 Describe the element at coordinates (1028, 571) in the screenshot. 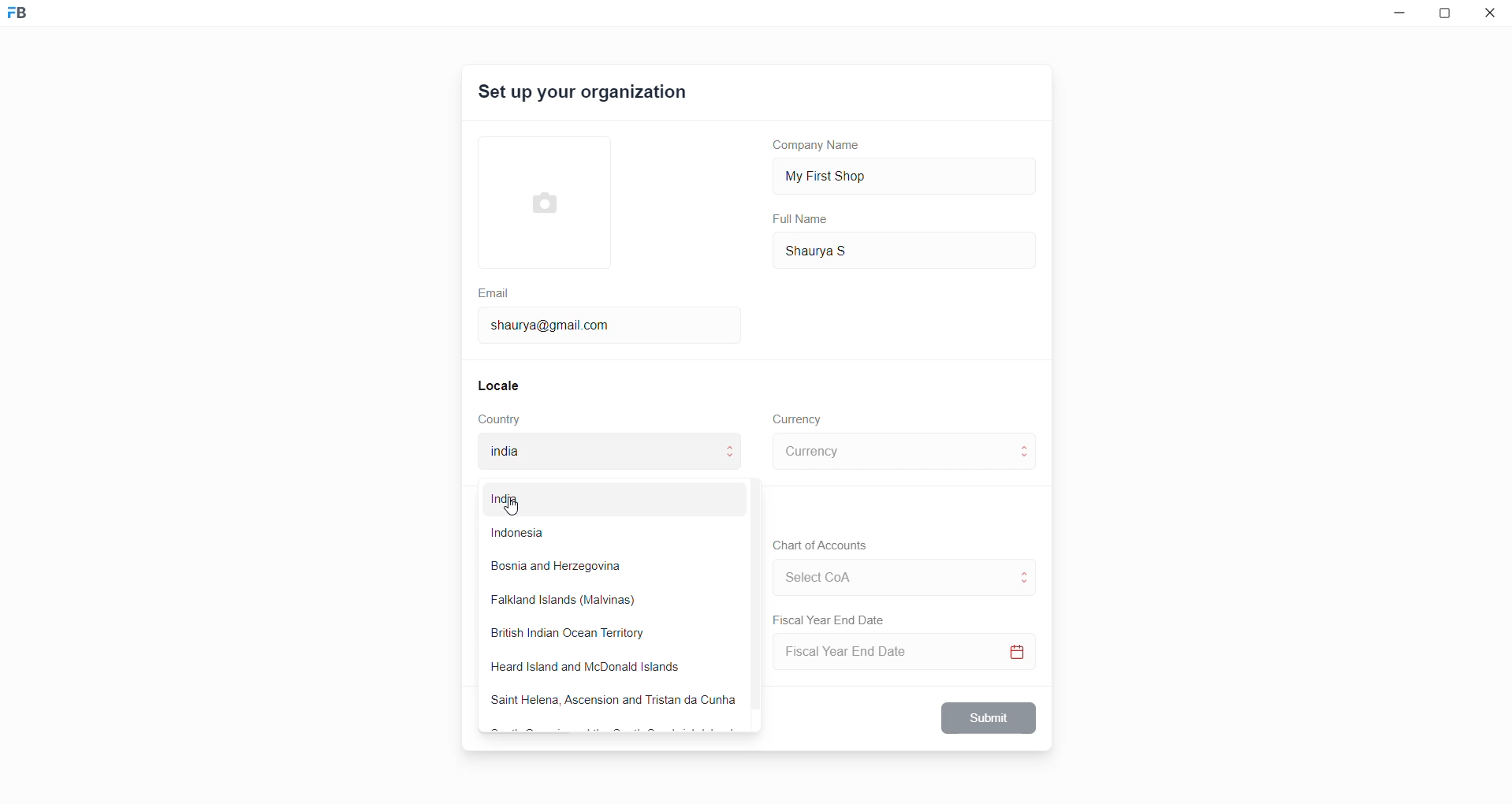

I see `move to above CoA` at that location.